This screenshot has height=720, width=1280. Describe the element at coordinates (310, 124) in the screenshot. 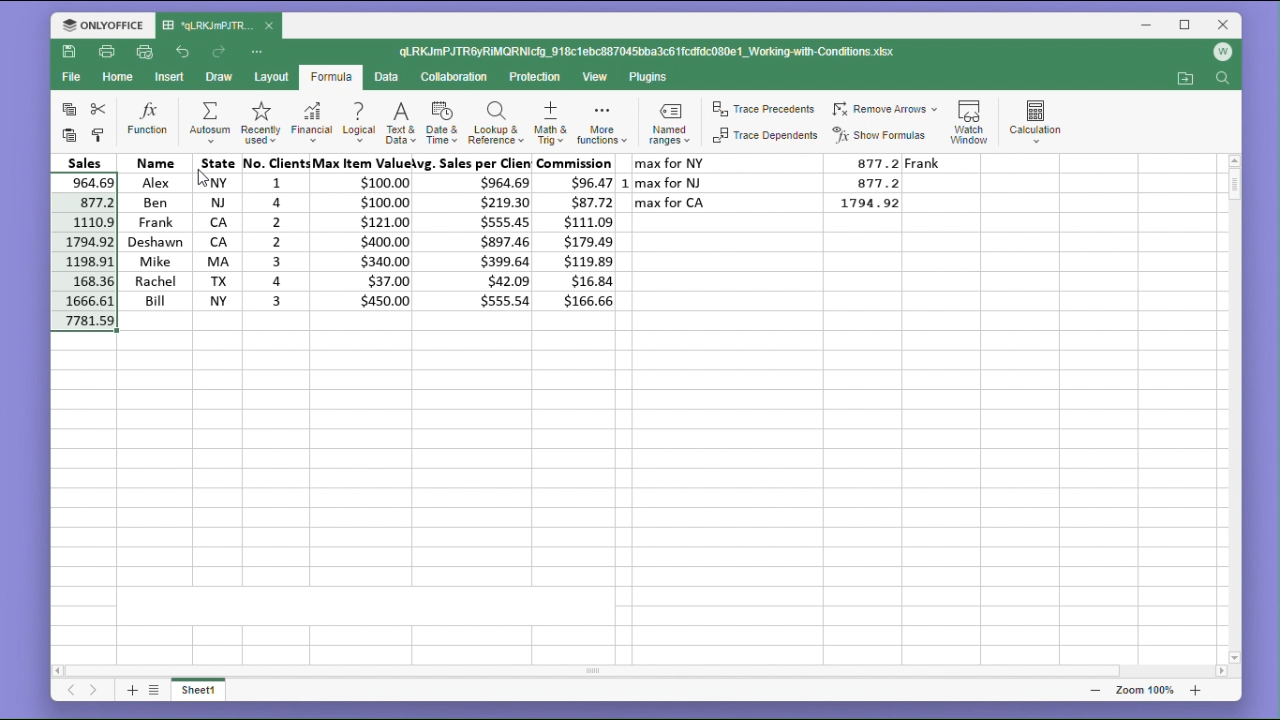

I see `financial` at that location.